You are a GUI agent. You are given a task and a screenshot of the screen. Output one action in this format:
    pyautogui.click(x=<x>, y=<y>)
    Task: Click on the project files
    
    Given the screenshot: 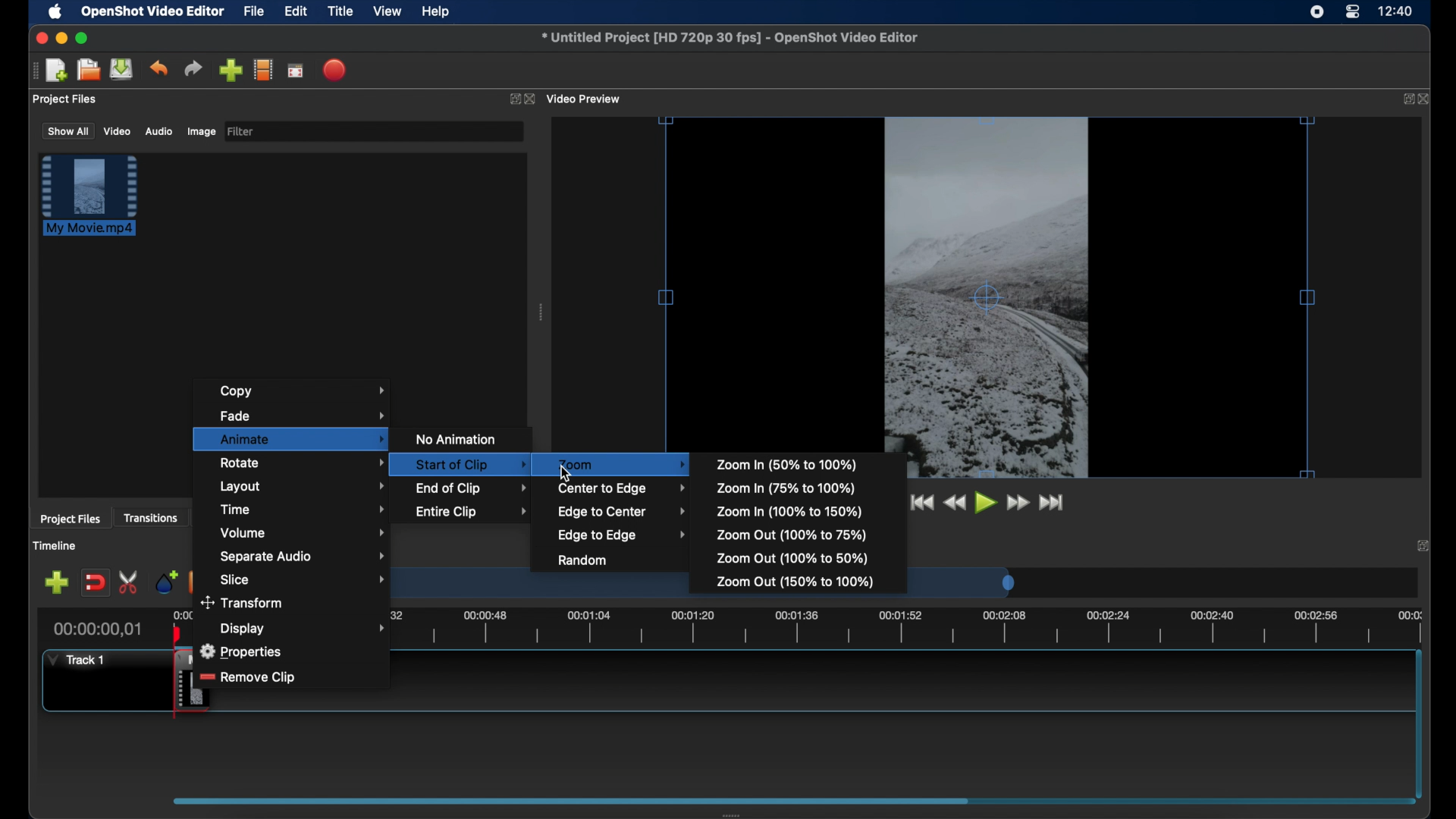 What is the action you would take?
    pyautogui.click(x=71, y=519)
    